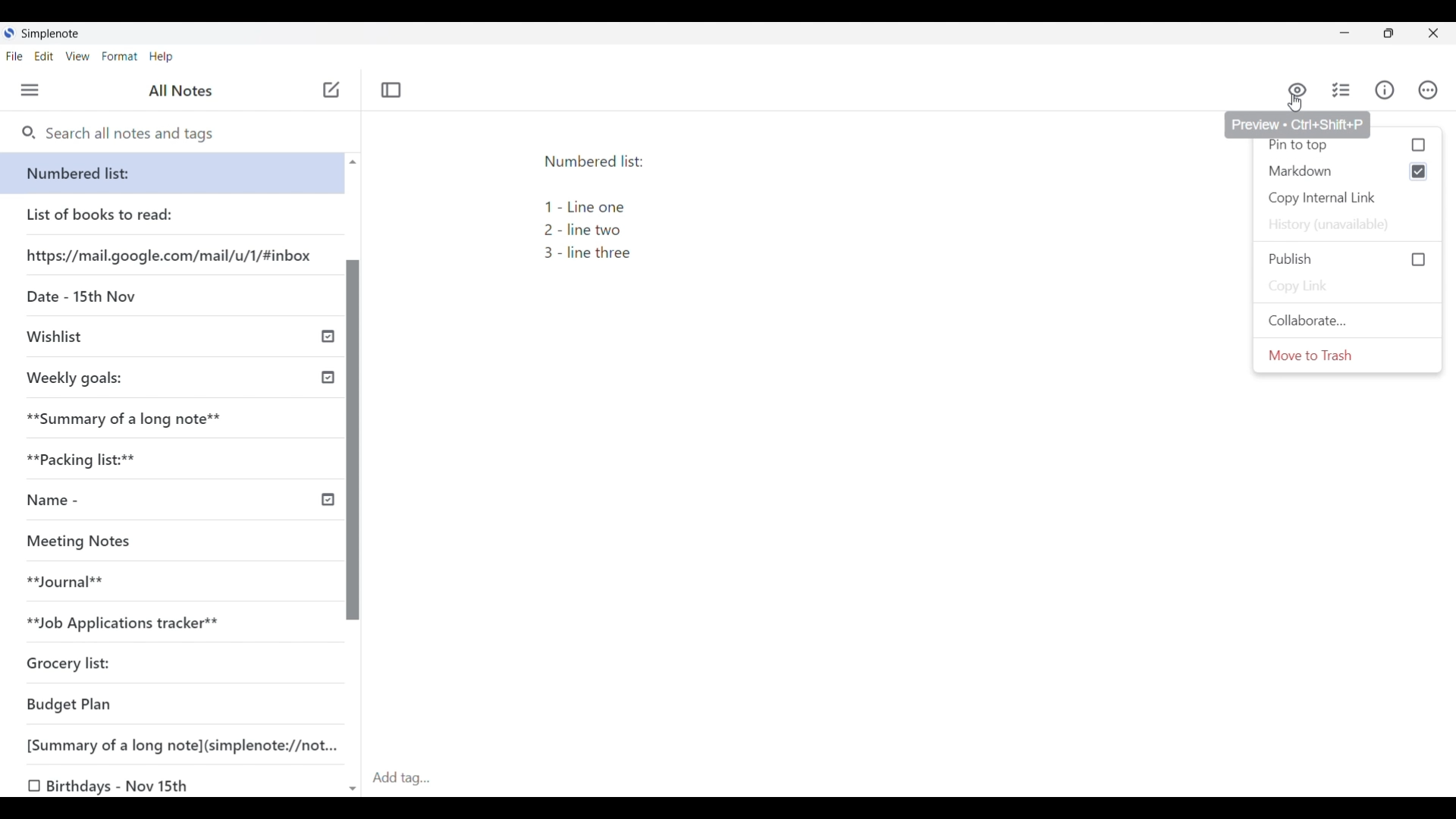 This screenshot has width=1456, height=819. Describe the element at coordinates (131, 626) in the screenshot. I see `**Job Applications tracker**` at that location.